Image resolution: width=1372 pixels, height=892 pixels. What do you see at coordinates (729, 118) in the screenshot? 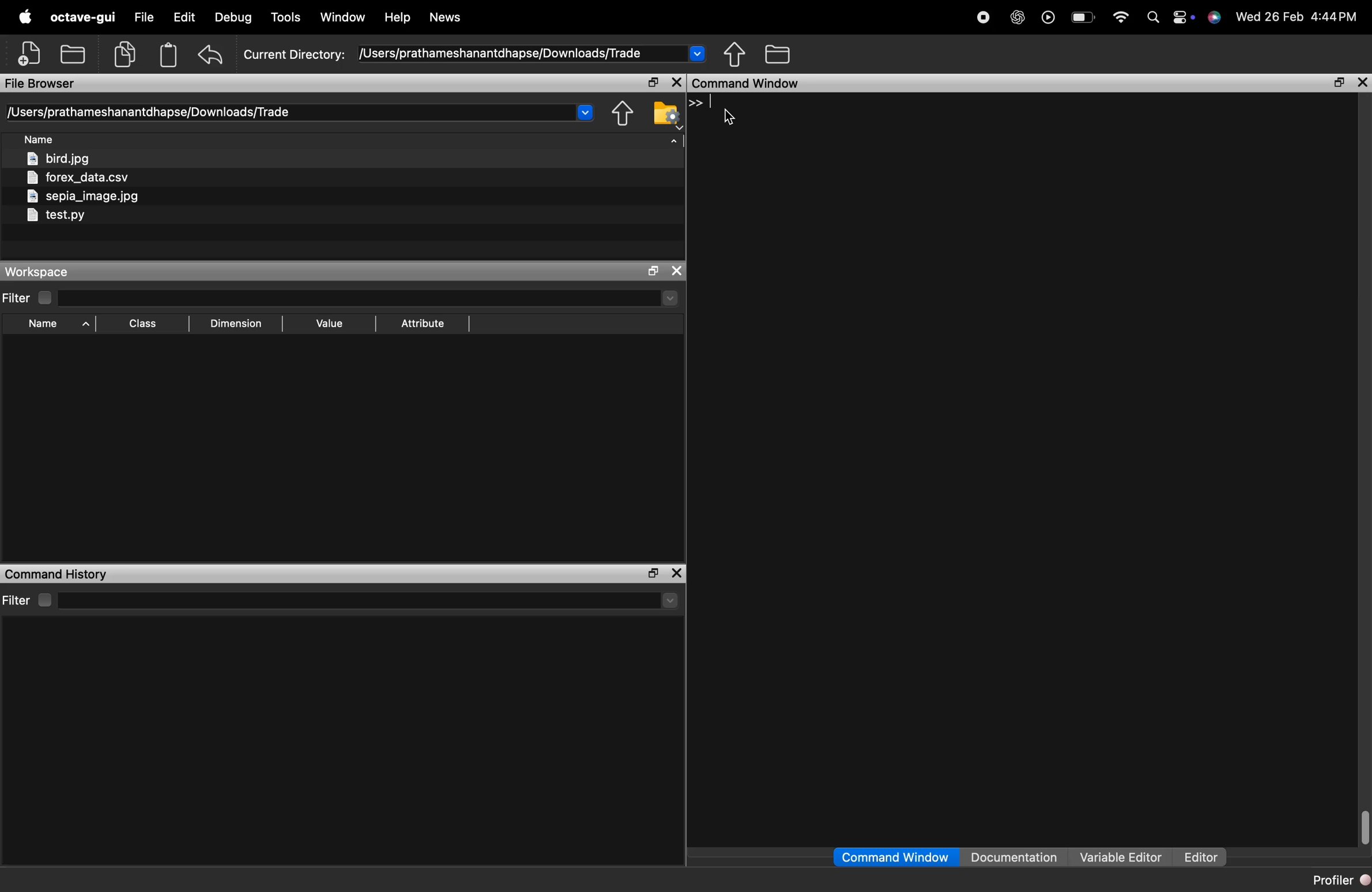
I see `cursor` at bounding box center [729, 118].